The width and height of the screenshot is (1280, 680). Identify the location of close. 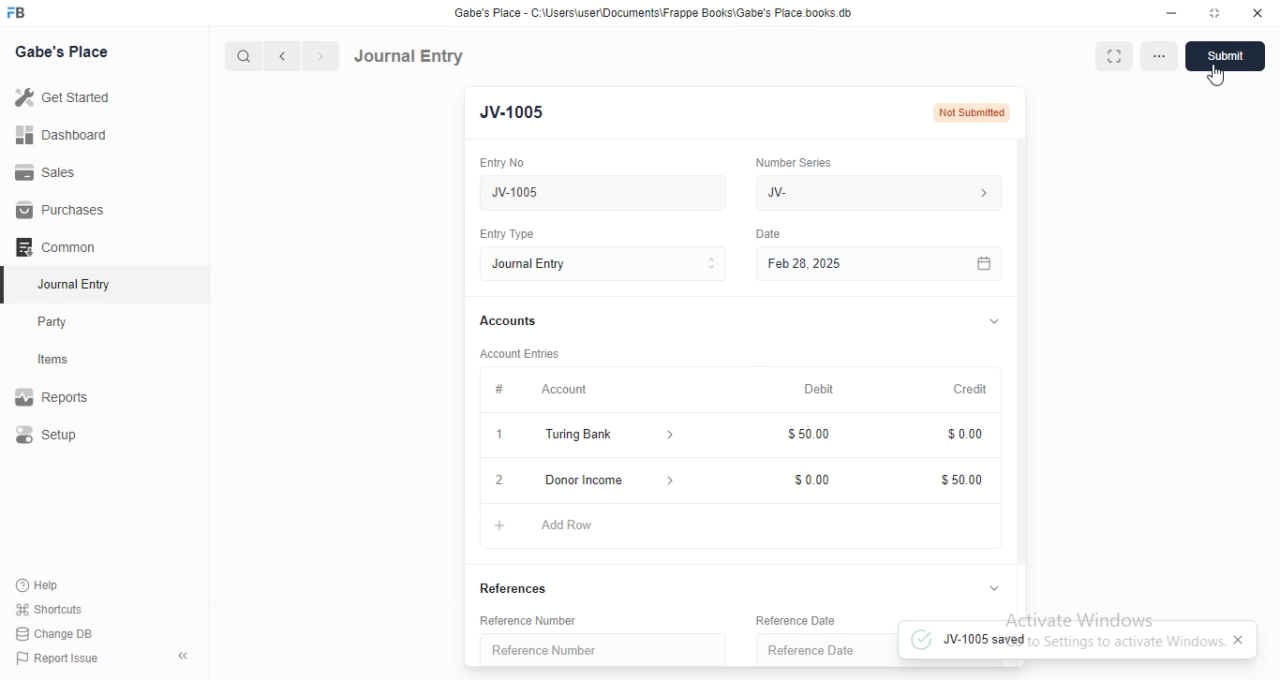
(1238, 639).